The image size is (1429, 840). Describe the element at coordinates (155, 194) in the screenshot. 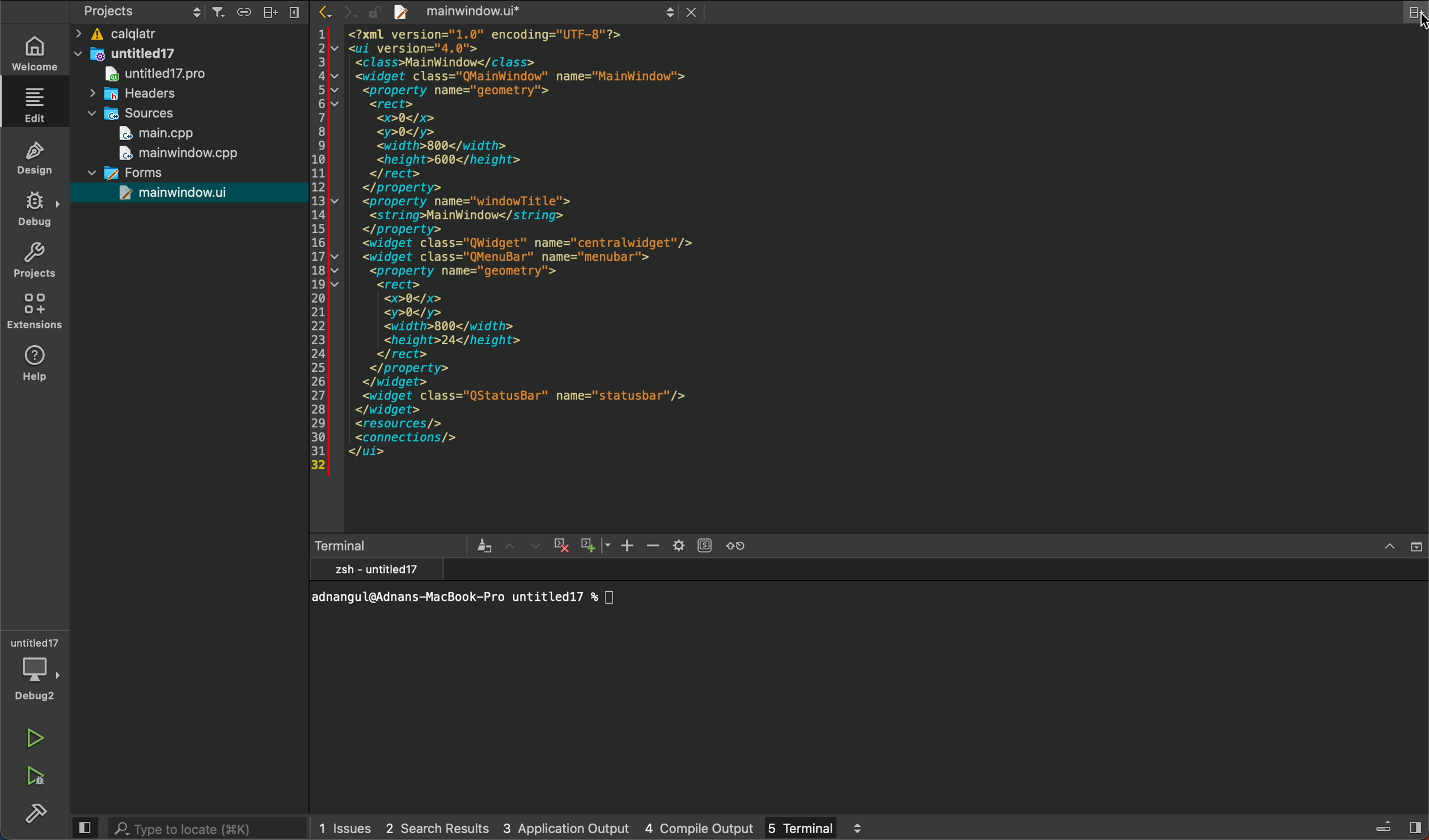

I see `main window` at that location.